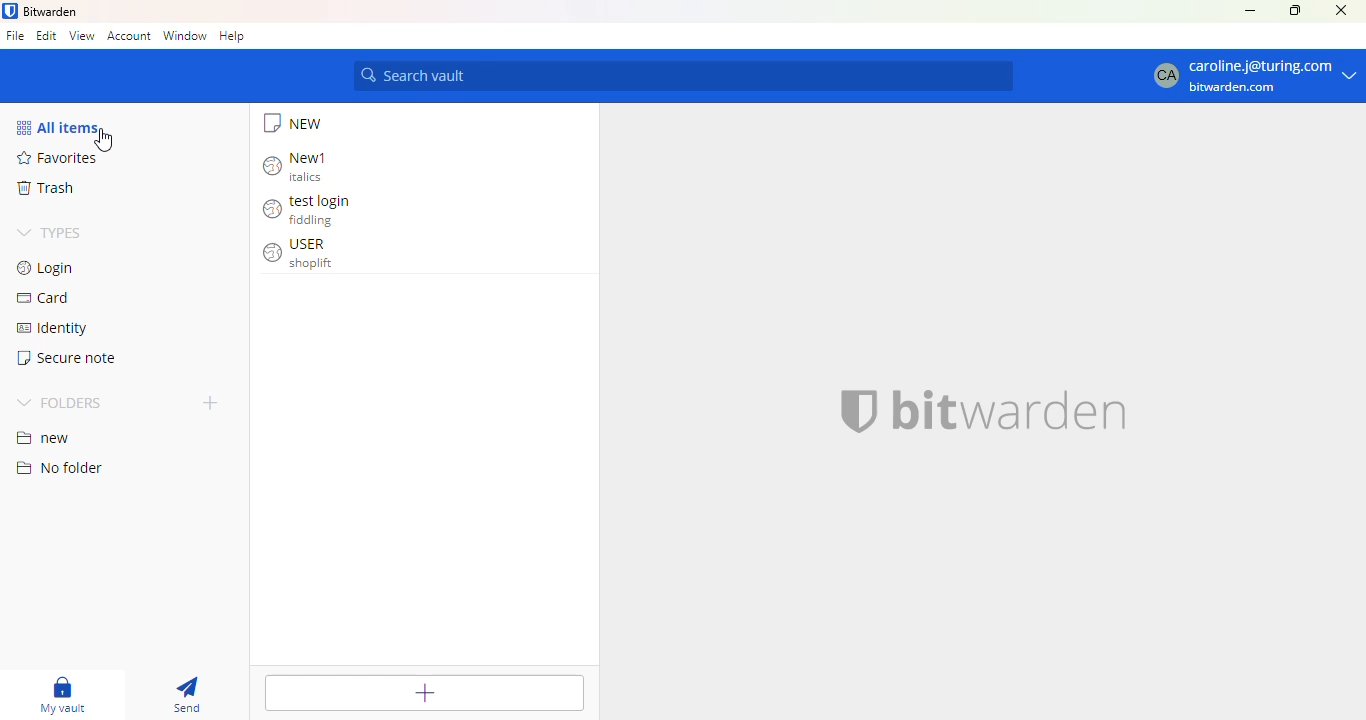 This screenshot has width=1366, height=720. Describe the element at coordinates (15, 35) in the screenshot. I see `file` at that location.